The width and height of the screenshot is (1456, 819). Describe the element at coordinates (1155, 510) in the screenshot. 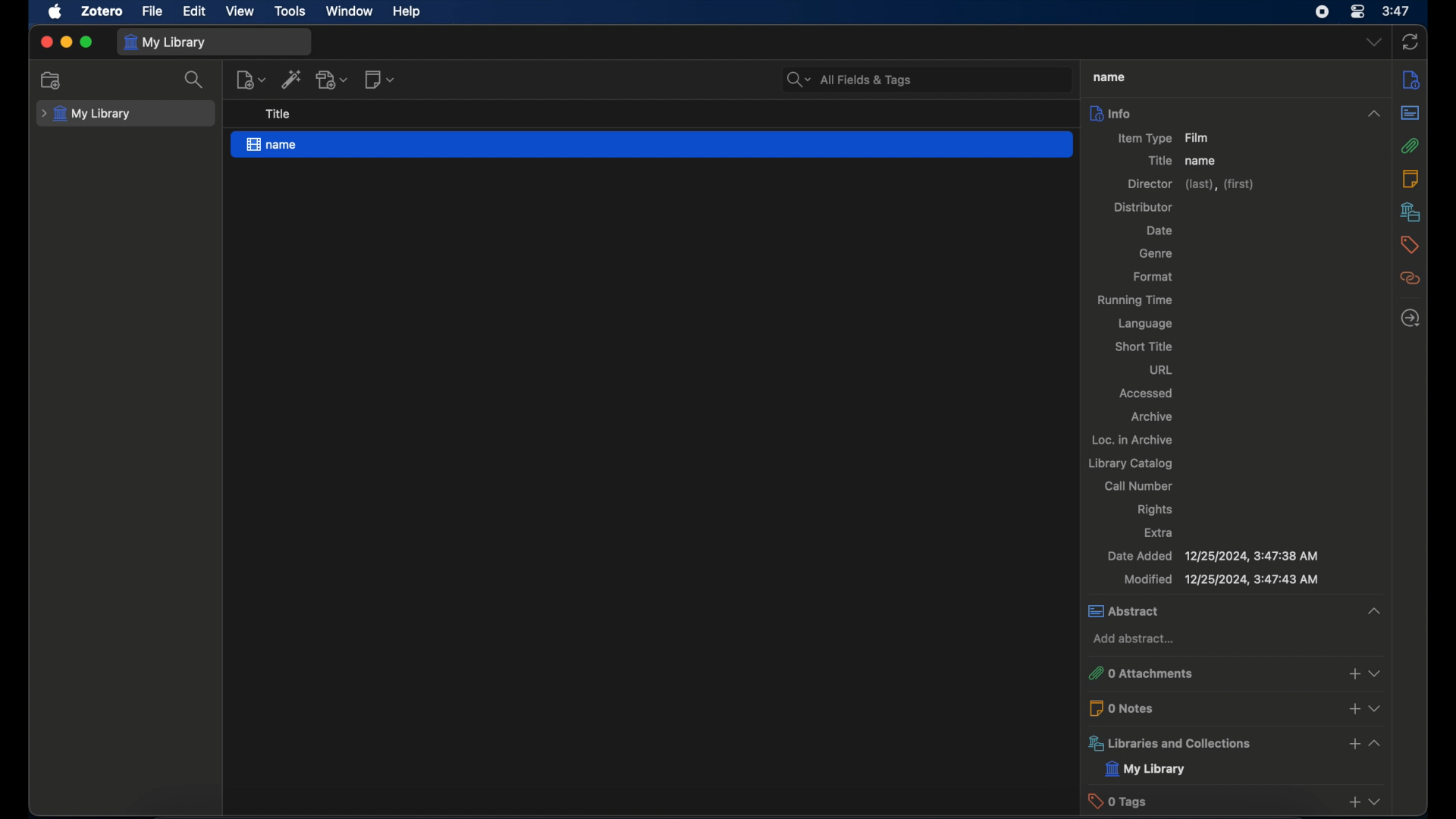

I see `rights` at that location.